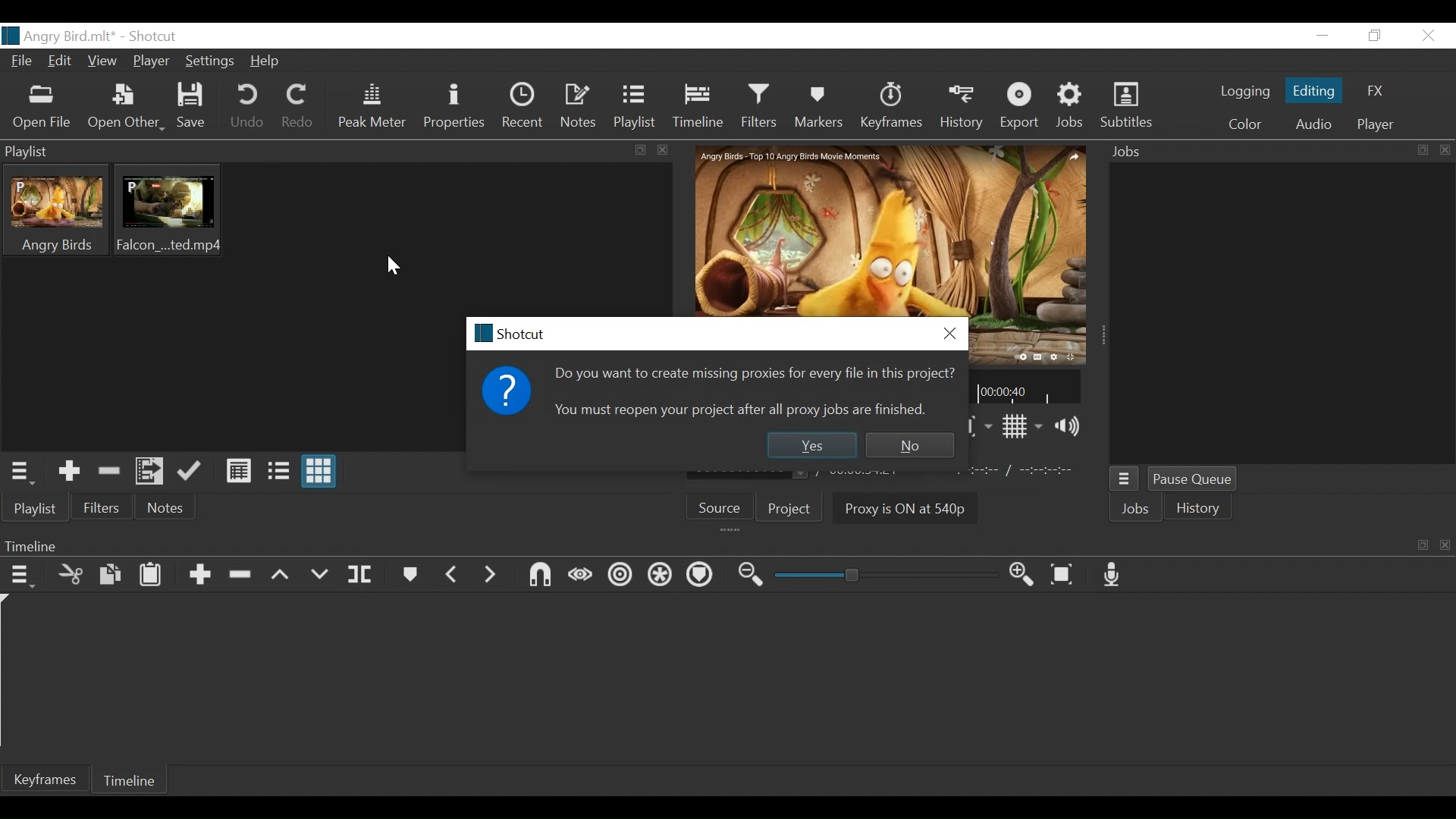  What do you see at coordinates (102, 507) in the screenshot?
I see `Filter` at bounding box center [102, 507].